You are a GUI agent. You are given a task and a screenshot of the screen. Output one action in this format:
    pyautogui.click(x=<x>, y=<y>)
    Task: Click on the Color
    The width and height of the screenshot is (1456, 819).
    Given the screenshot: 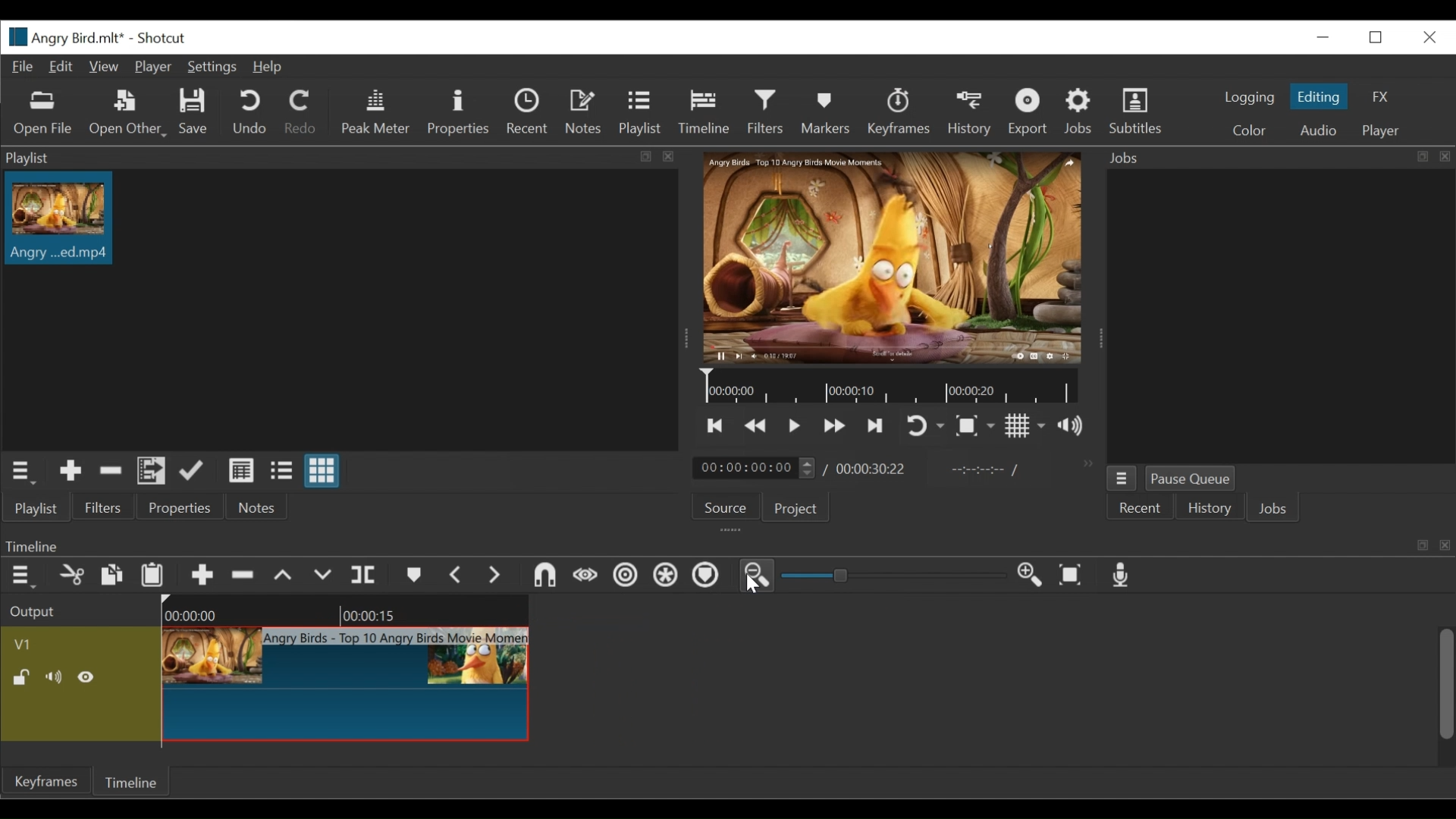 What is the action you would take?
    pyautogui.click(x=1254, y=130)
    